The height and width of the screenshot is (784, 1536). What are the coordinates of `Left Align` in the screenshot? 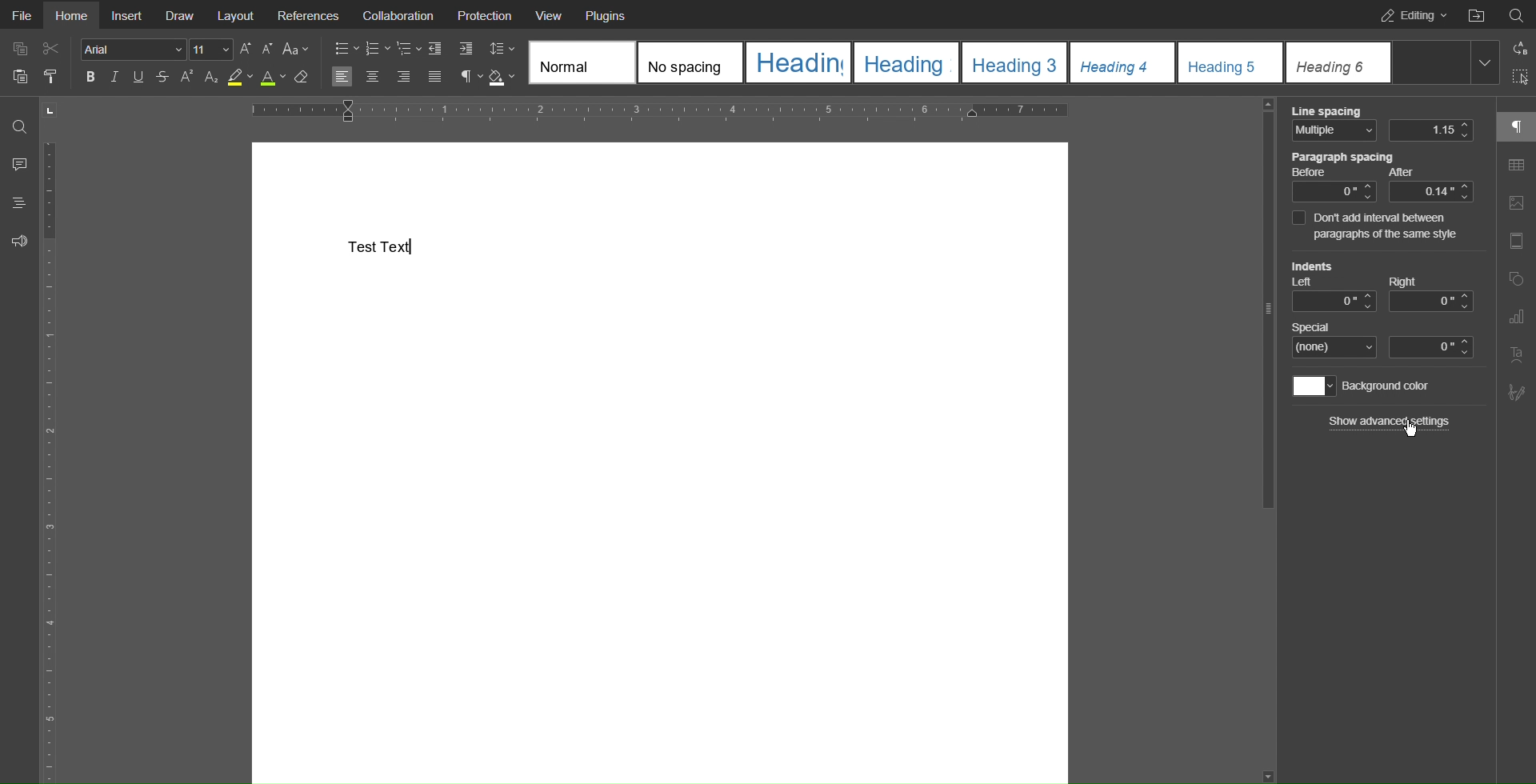 It's located at (342, 78).